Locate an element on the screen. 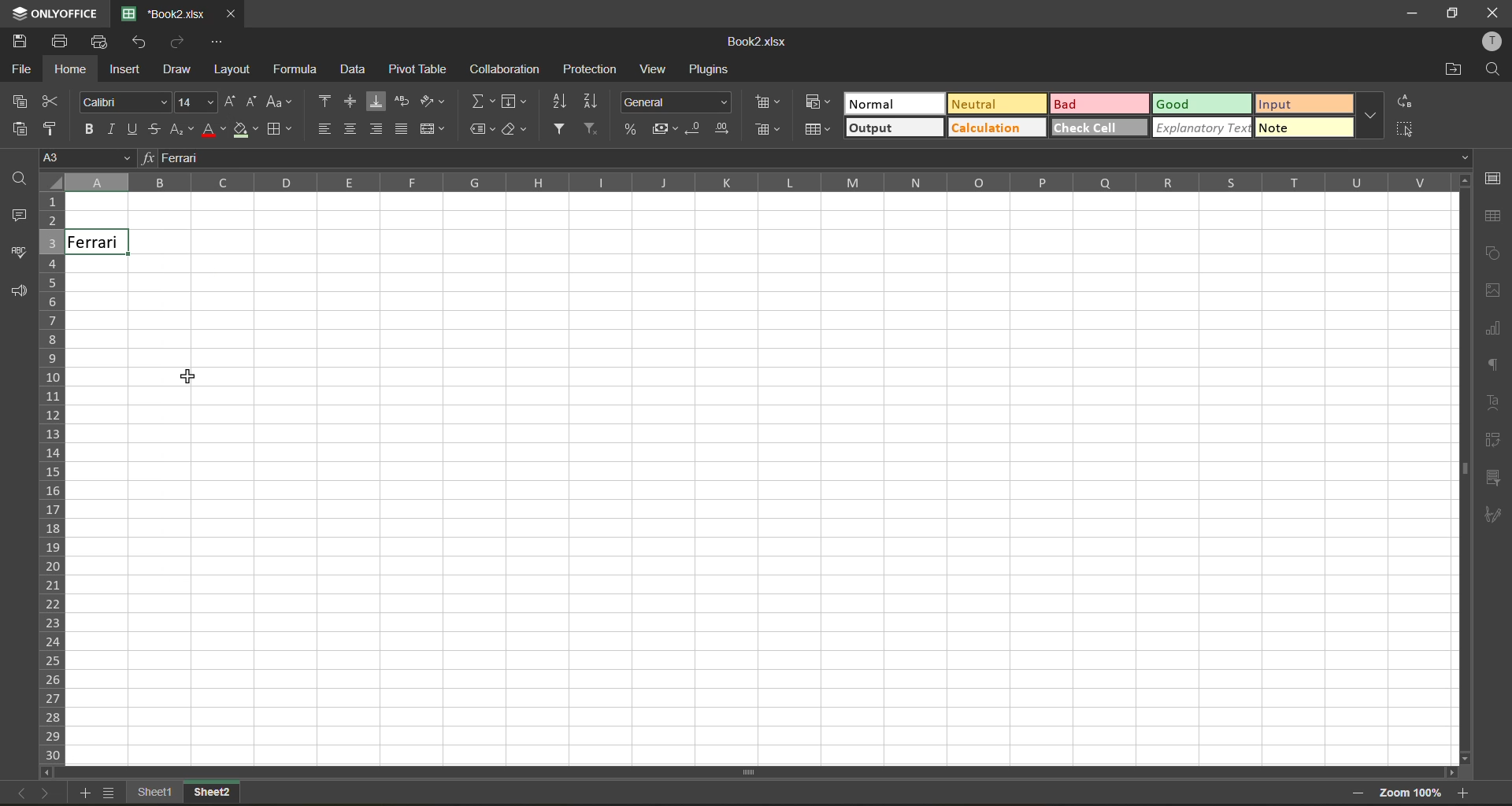 The image size is (1512, 806). justified is located at coordinates (402, 128).